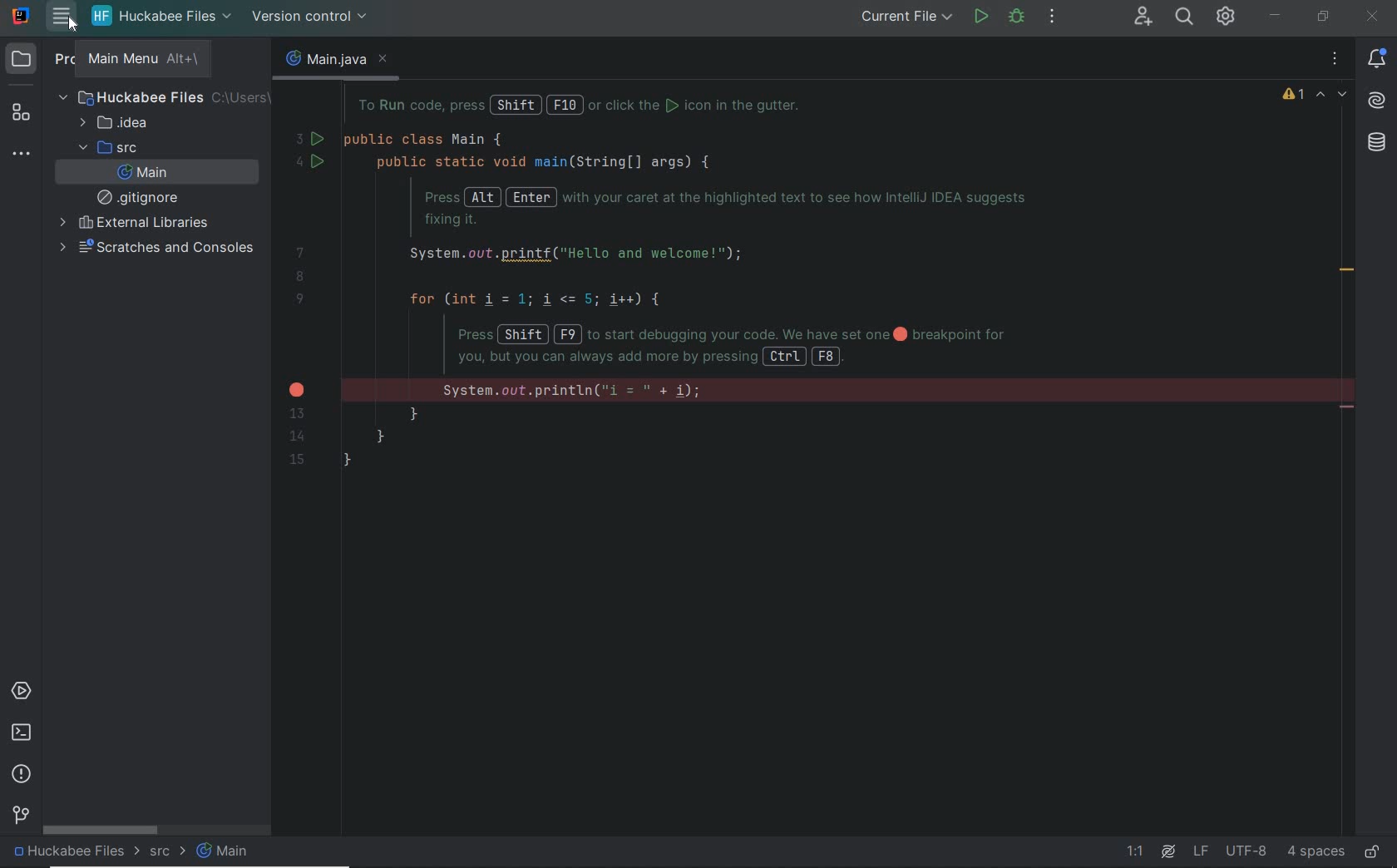  Describe the element at coordinates (158, 248) in the screenshot. I see `scratches and consoles` at that location.